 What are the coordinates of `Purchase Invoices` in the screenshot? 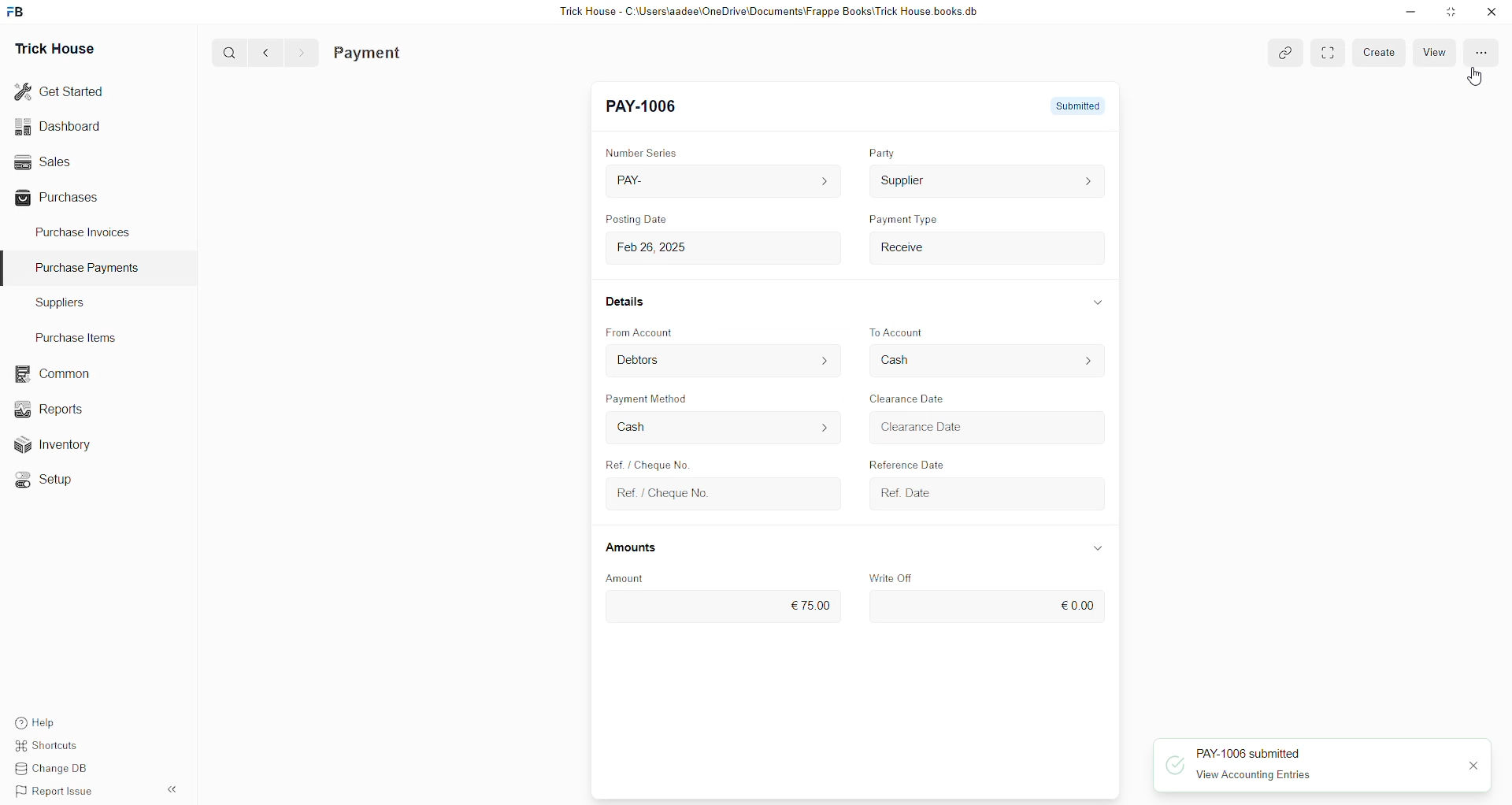 It's located at (81, 235).